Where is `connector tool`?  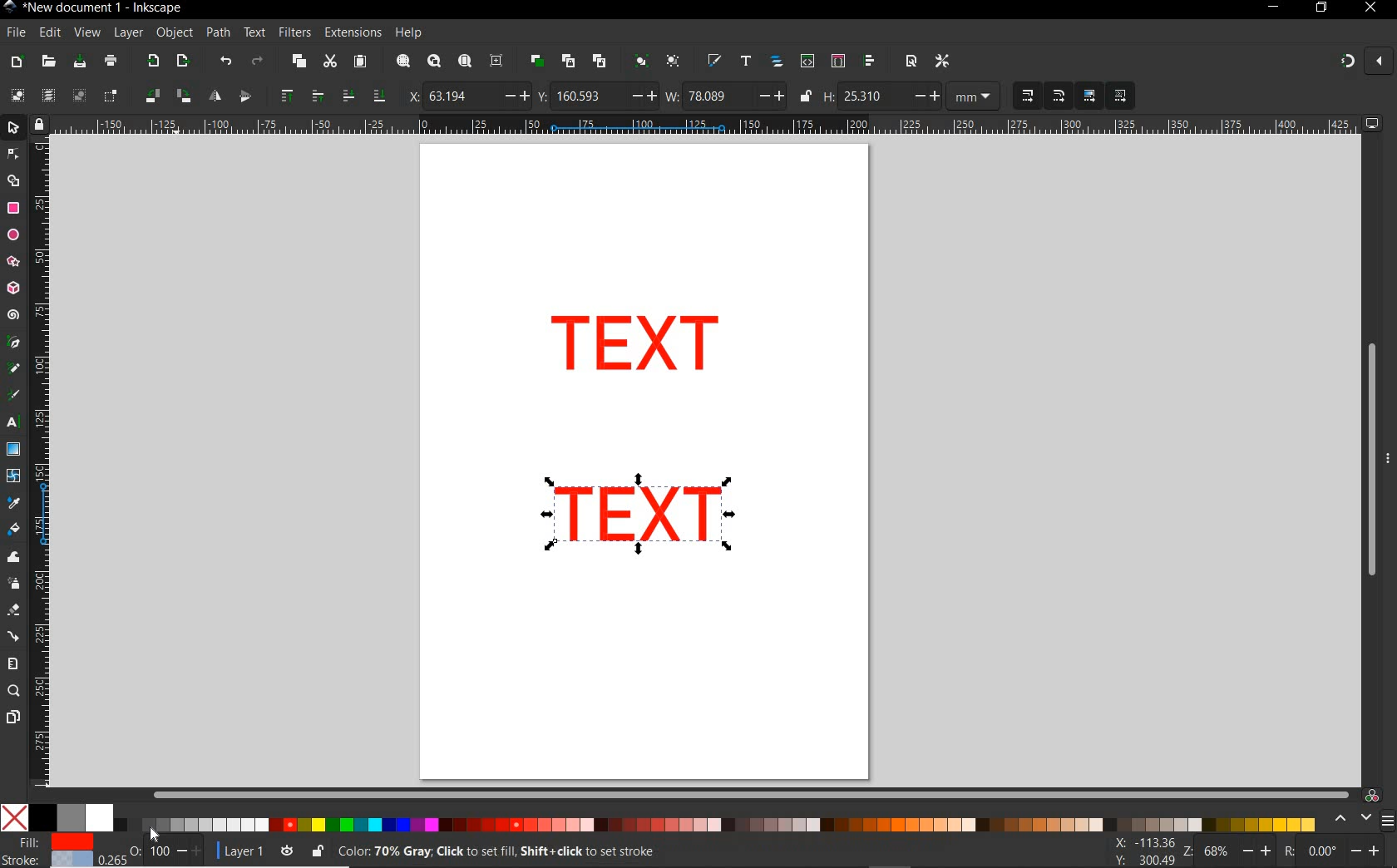
connector tool is located at coordinates (13, 636).